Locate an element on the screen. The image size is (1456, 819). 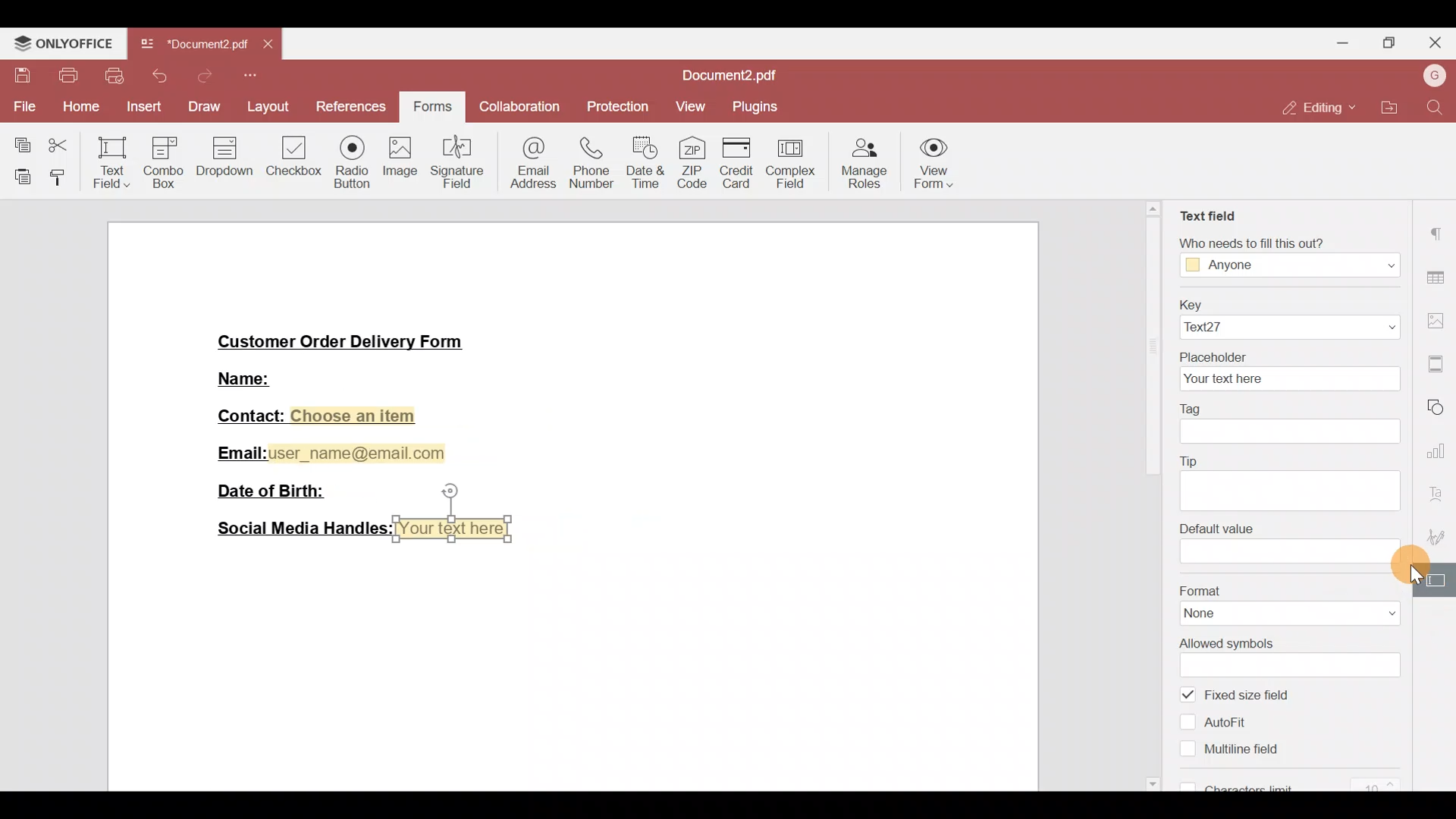
ONLYOFFICE is located at coordinates (64, 42).